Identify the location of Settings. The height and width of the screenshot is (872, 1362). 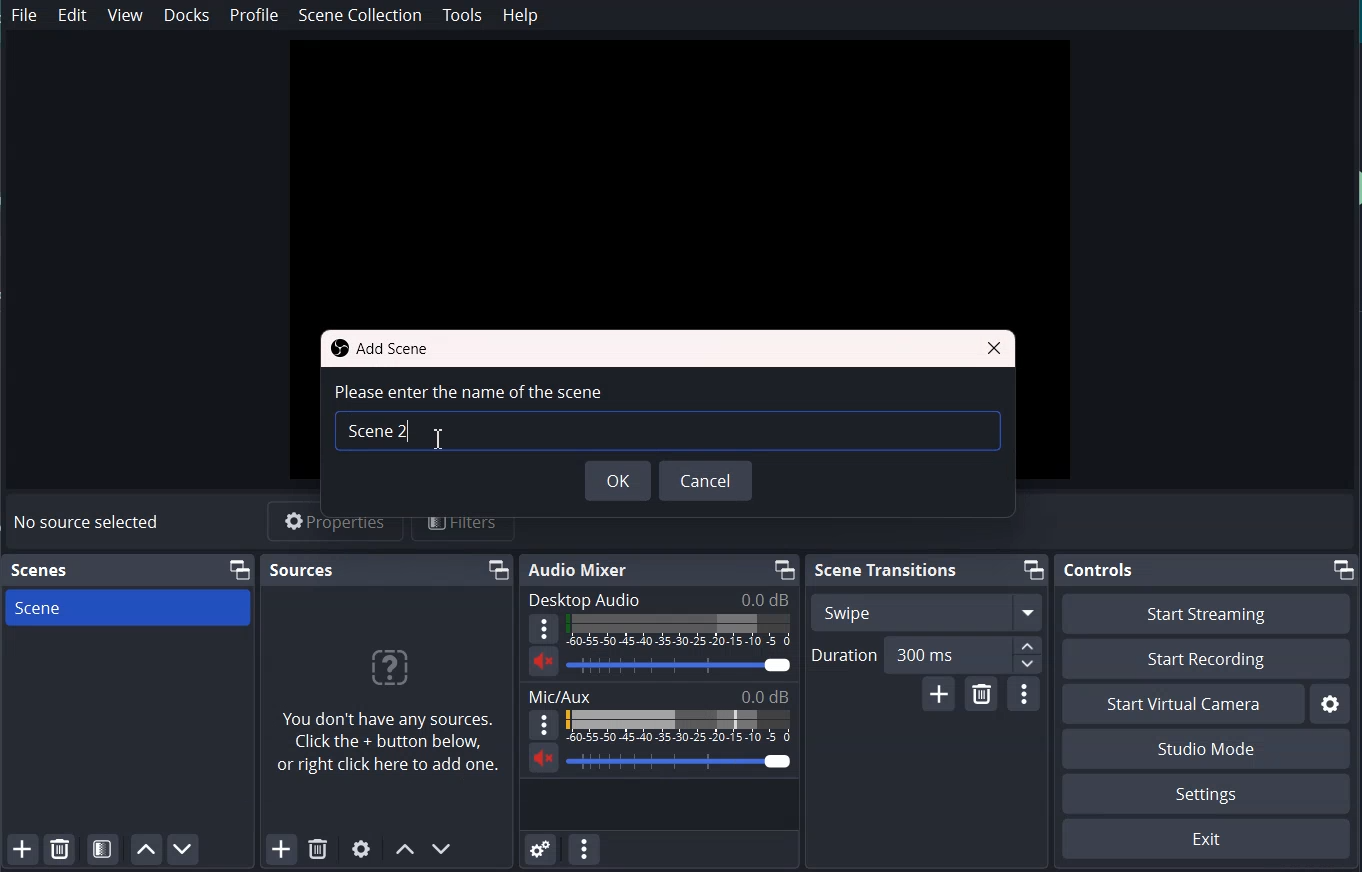
(1330, 703).